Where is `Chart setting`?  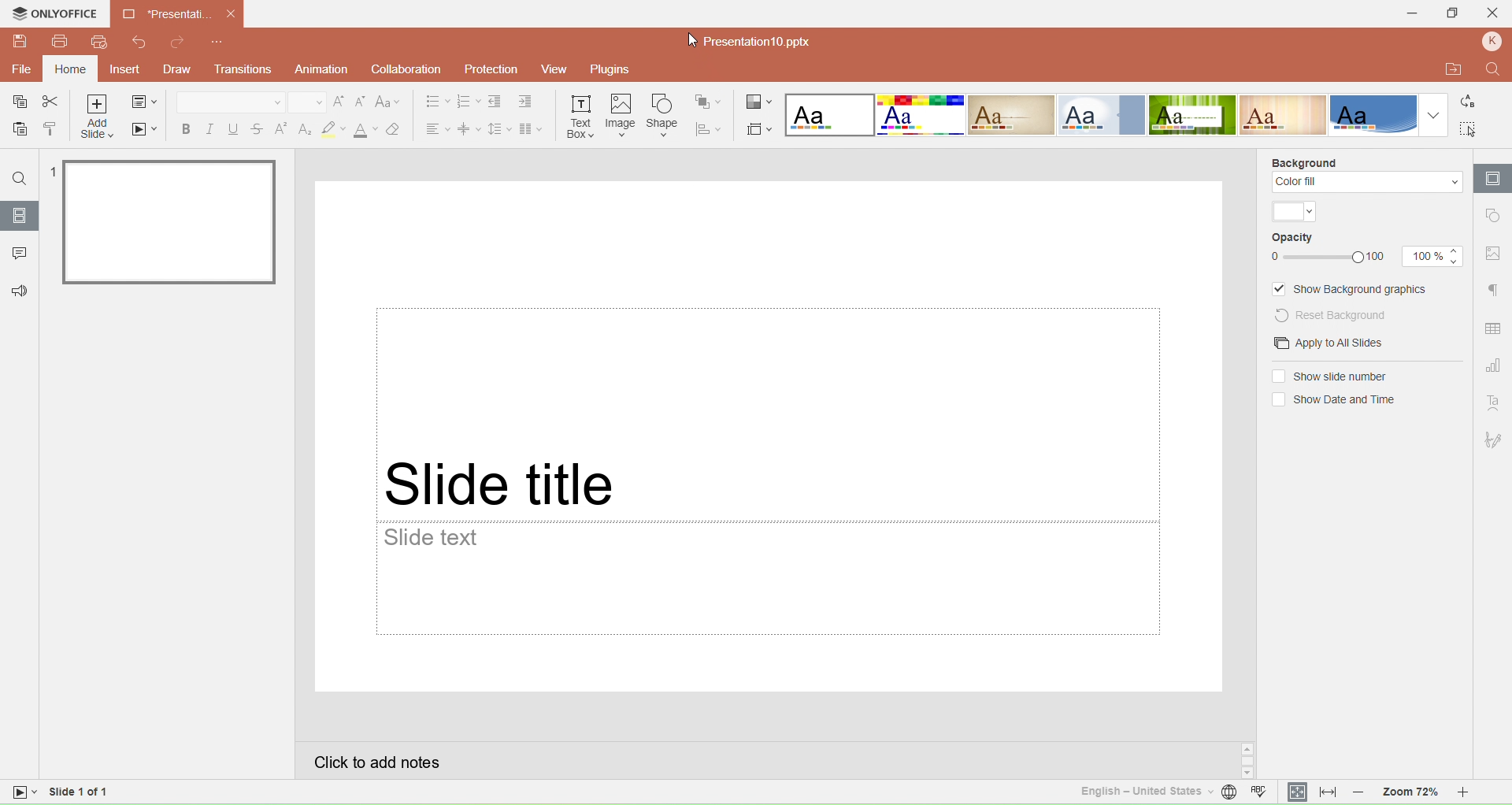 Chart setting is located at coordinates (1495, 363).